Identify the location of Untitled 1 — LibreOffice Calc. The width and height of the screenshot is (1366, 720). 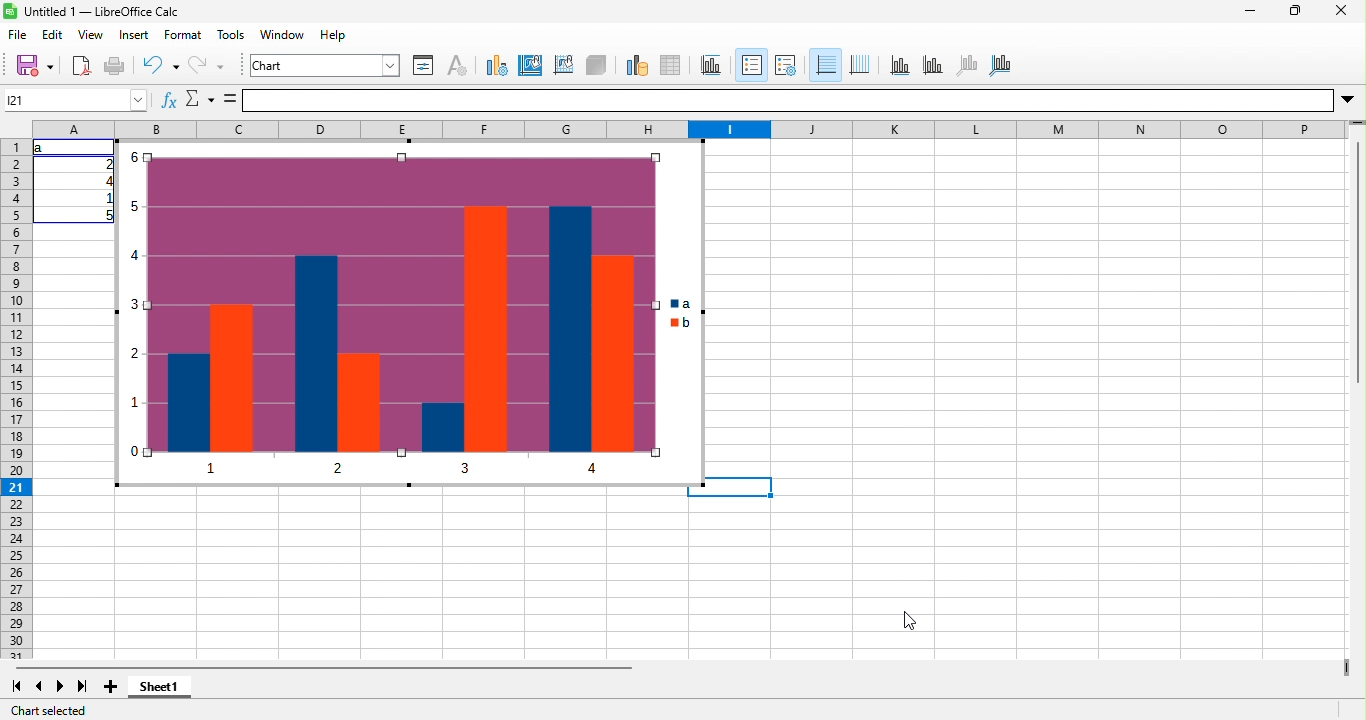
(102, 12).